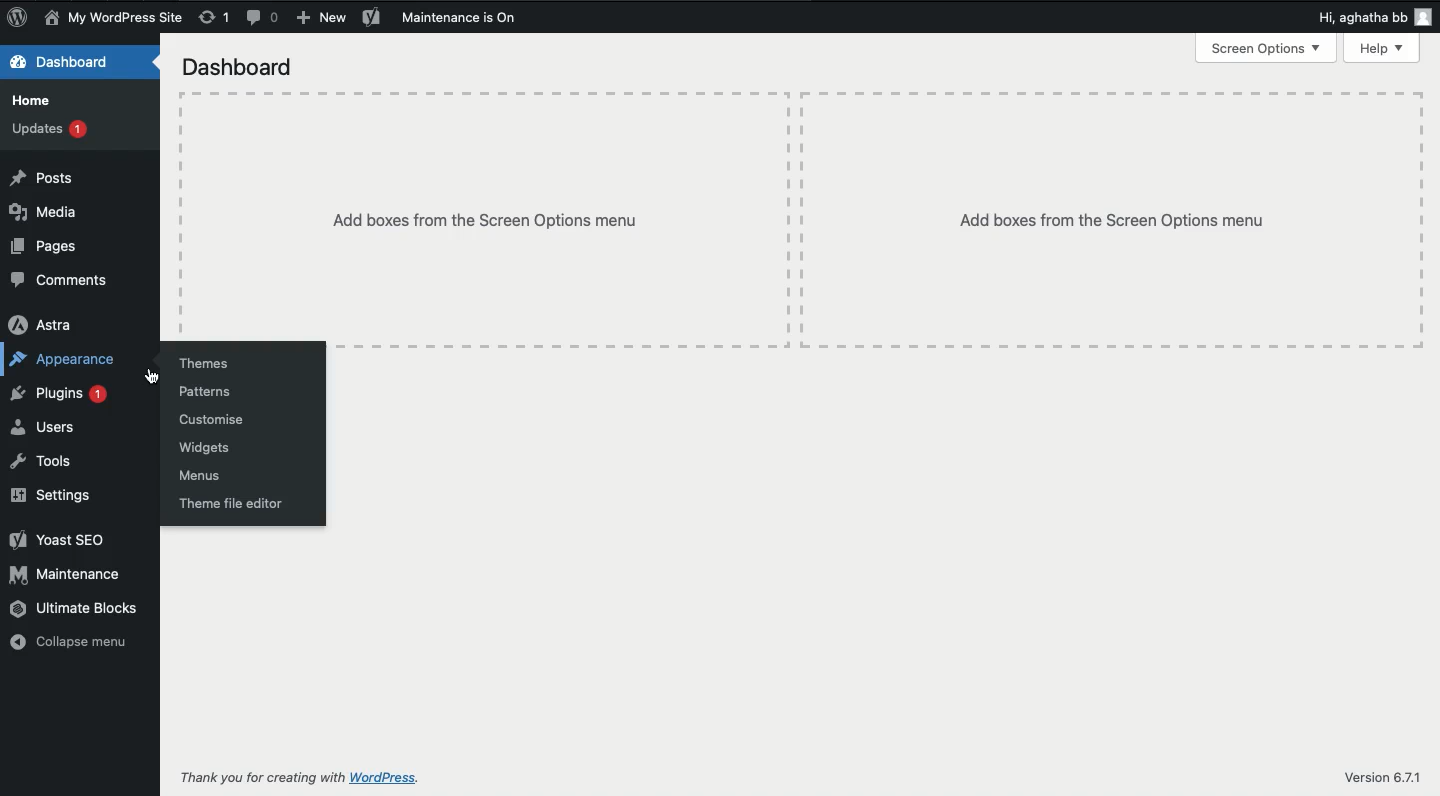 Image resolution: width=1440 pixels, height=796 pixels. Describe the element at coordinates (57, 541) in the screenshot. I see `Yoast ` at that location.